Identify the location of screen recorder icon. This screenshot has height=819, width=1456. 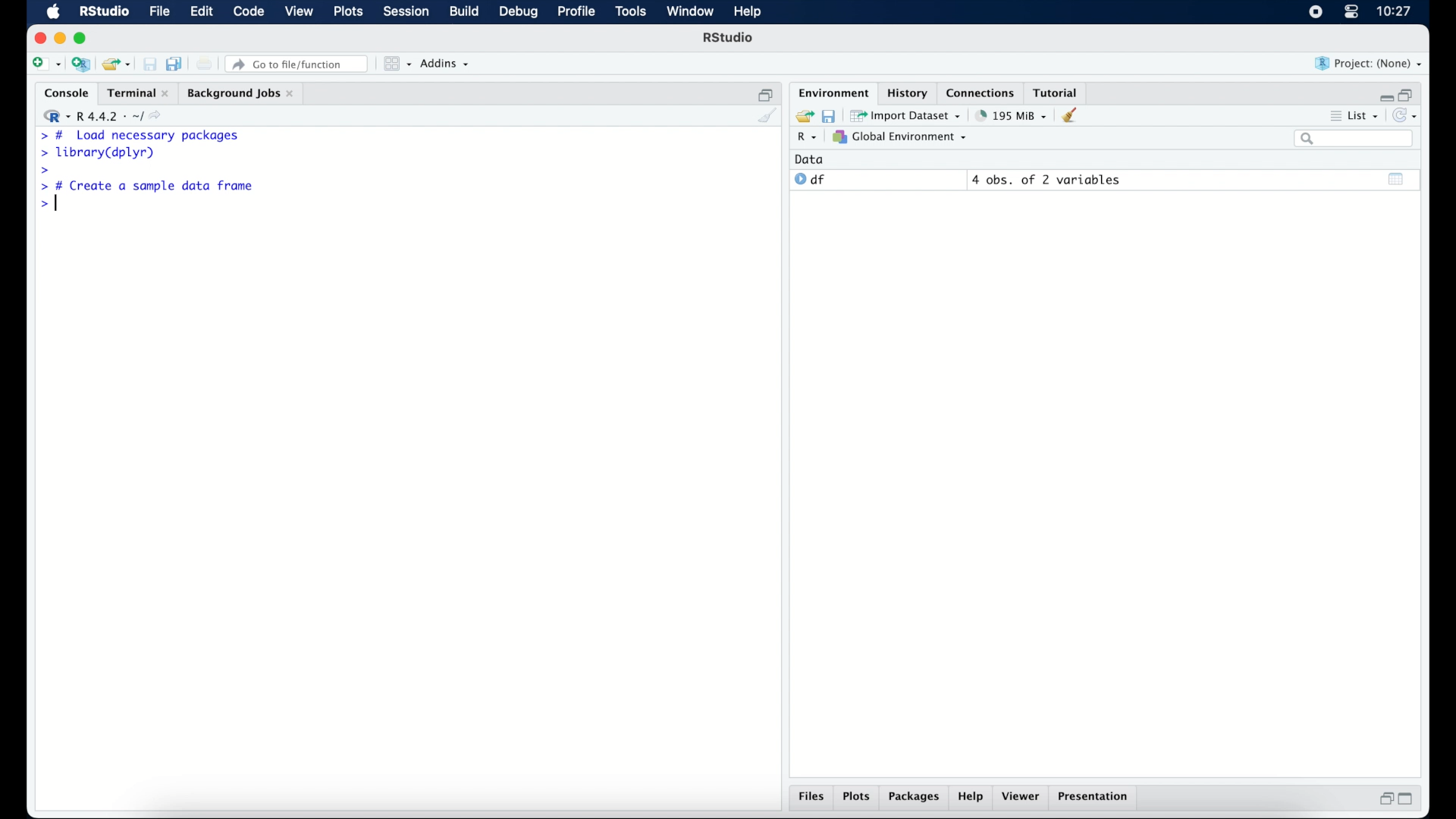
(1314, 12).